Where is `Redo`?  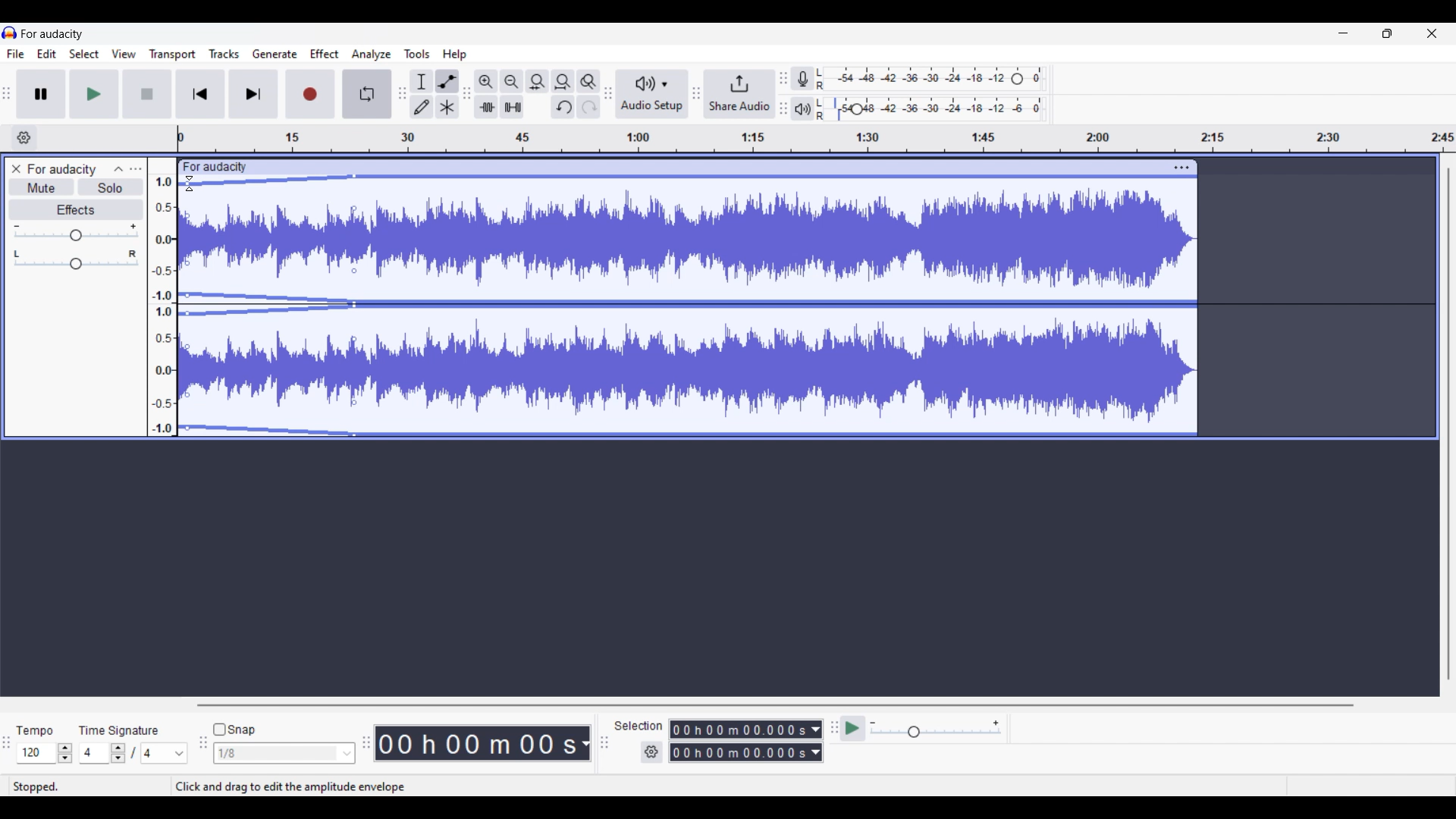 Redo is located at coordinates (589, 106).